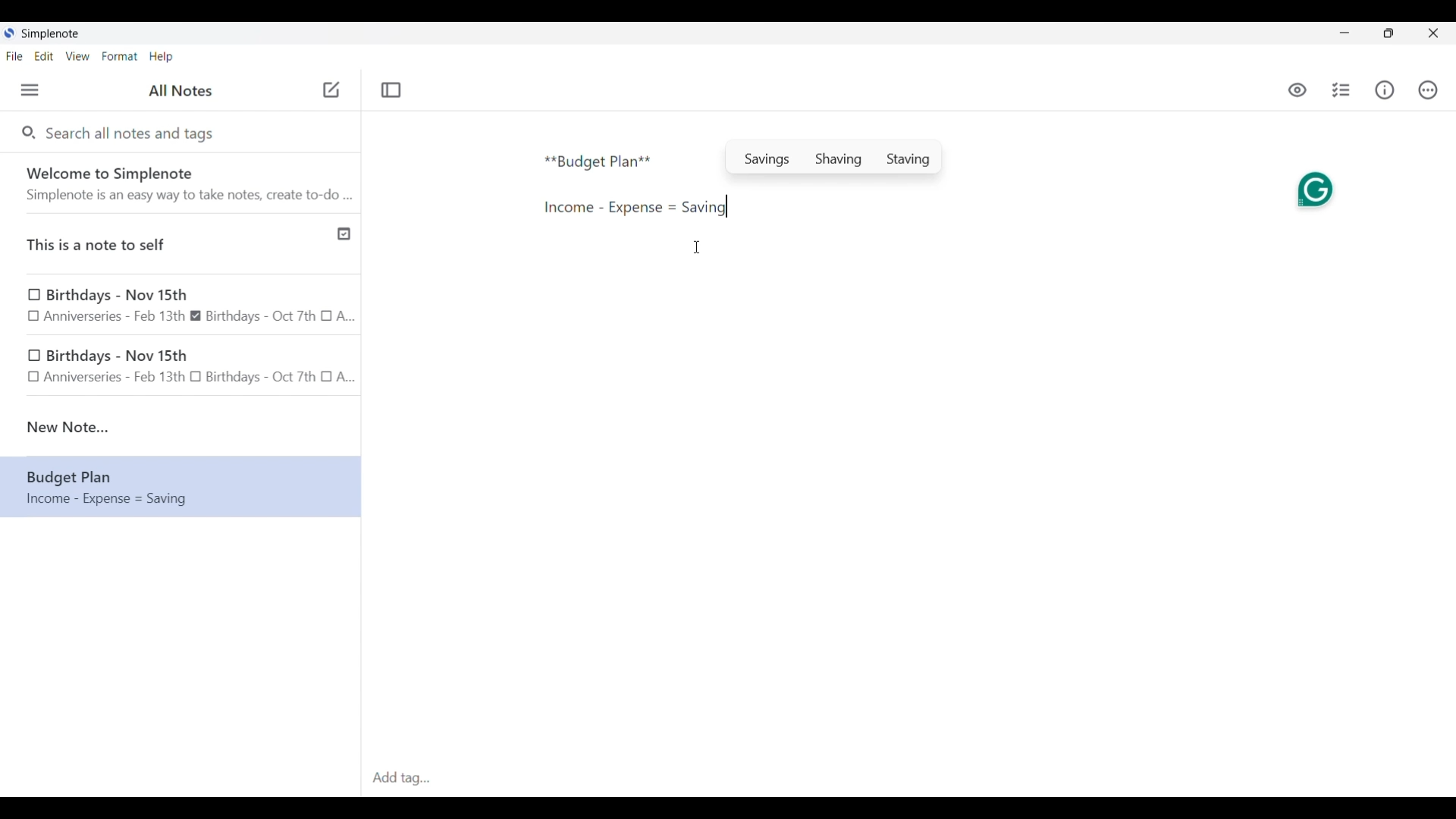 This screenshot has height=819, width=1456. Describe the element at coordinates (1389, 33) in the screenshot. I see `Show interface in a smaller tab` at that location.